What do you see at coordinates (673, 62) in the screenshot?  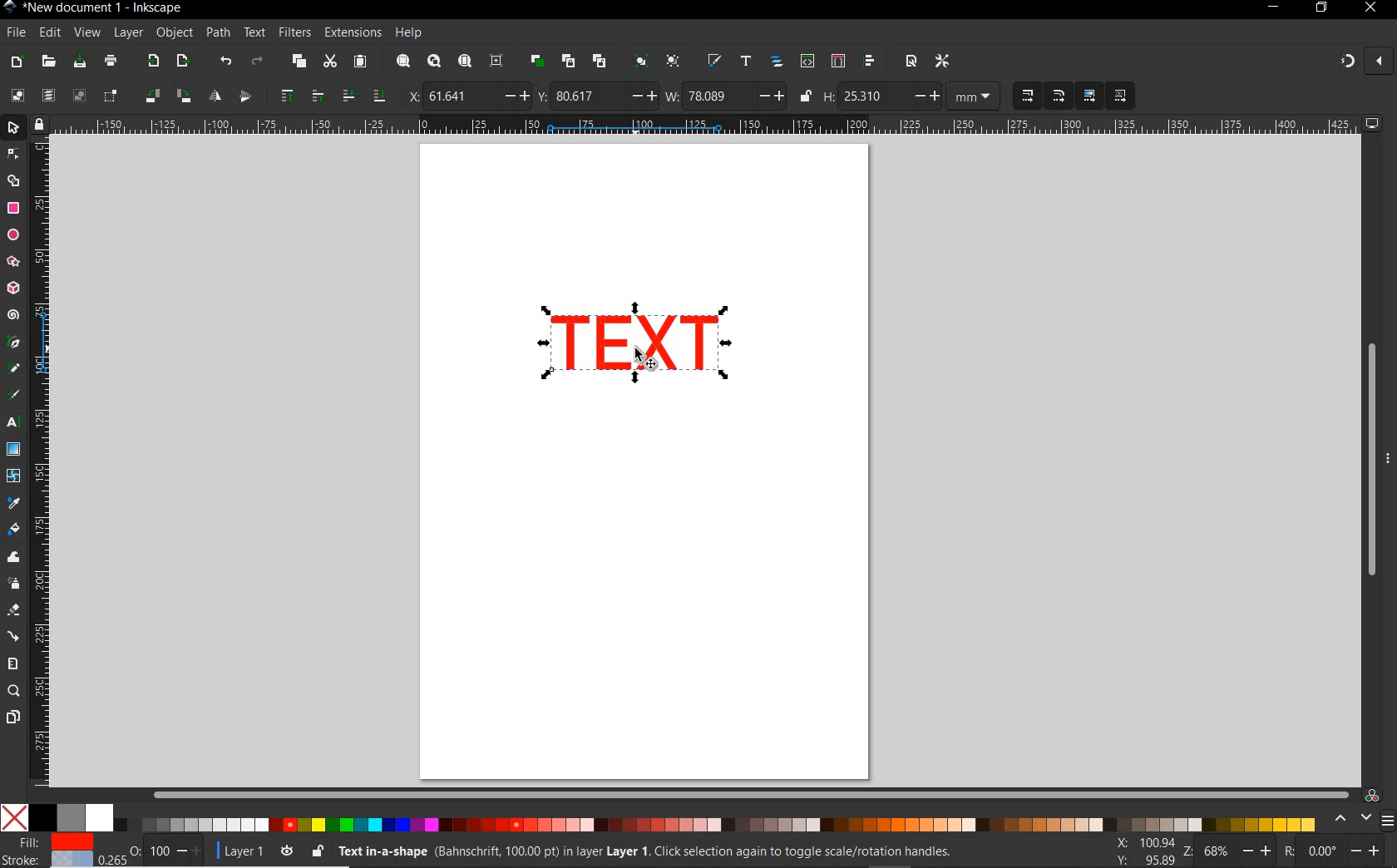 I see `ungroup` at bounding box center [673, 62].